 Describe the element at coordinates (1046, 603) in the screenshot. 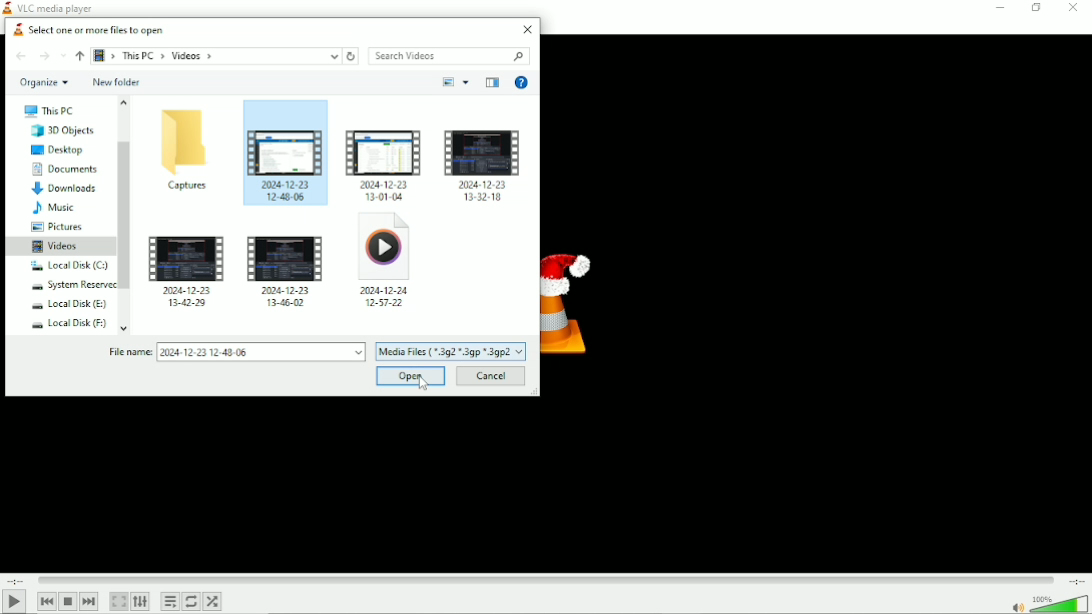

I see `Volume` at that location.